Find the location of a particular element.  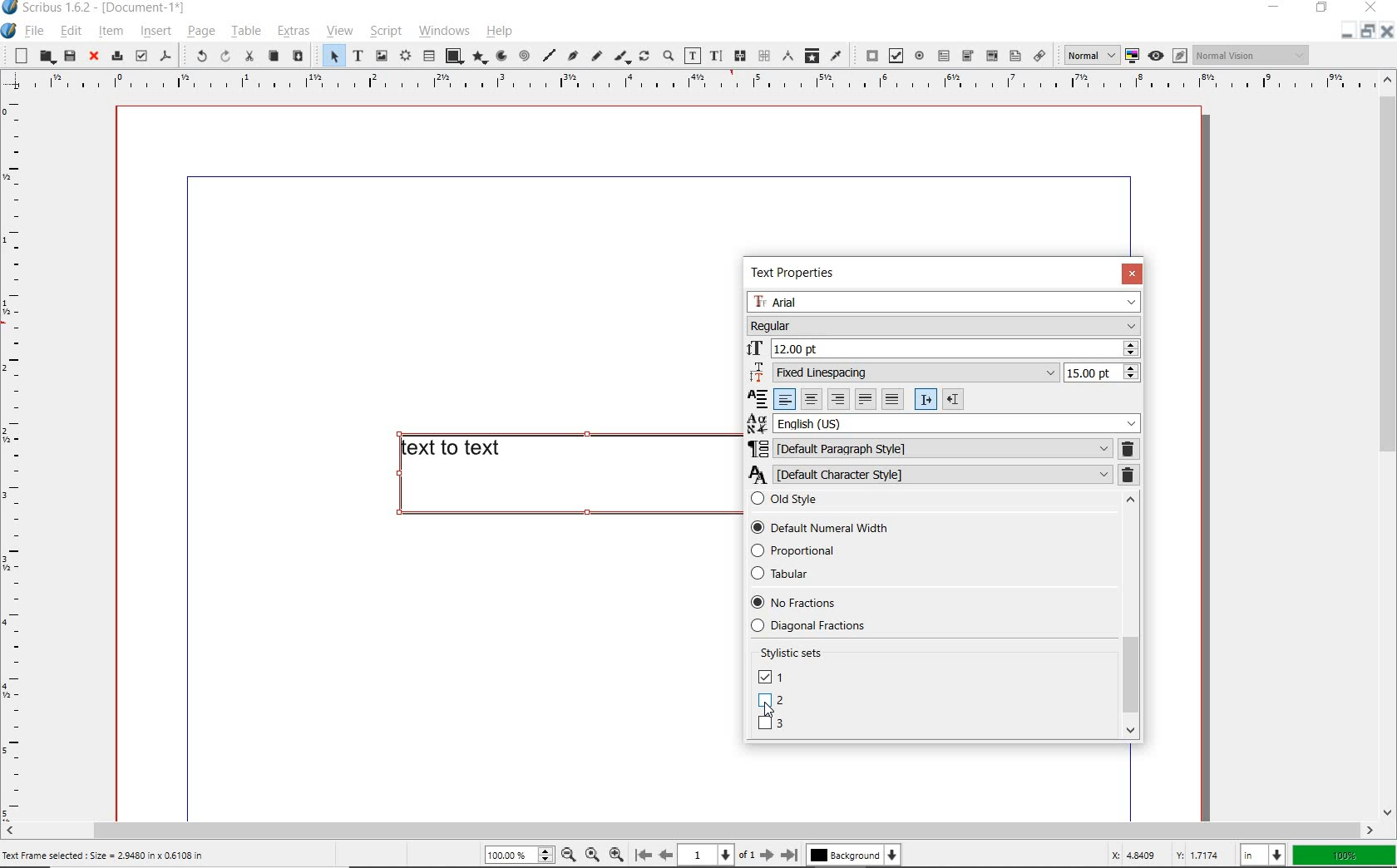

pdf text field is located at coordinates (943, 55).